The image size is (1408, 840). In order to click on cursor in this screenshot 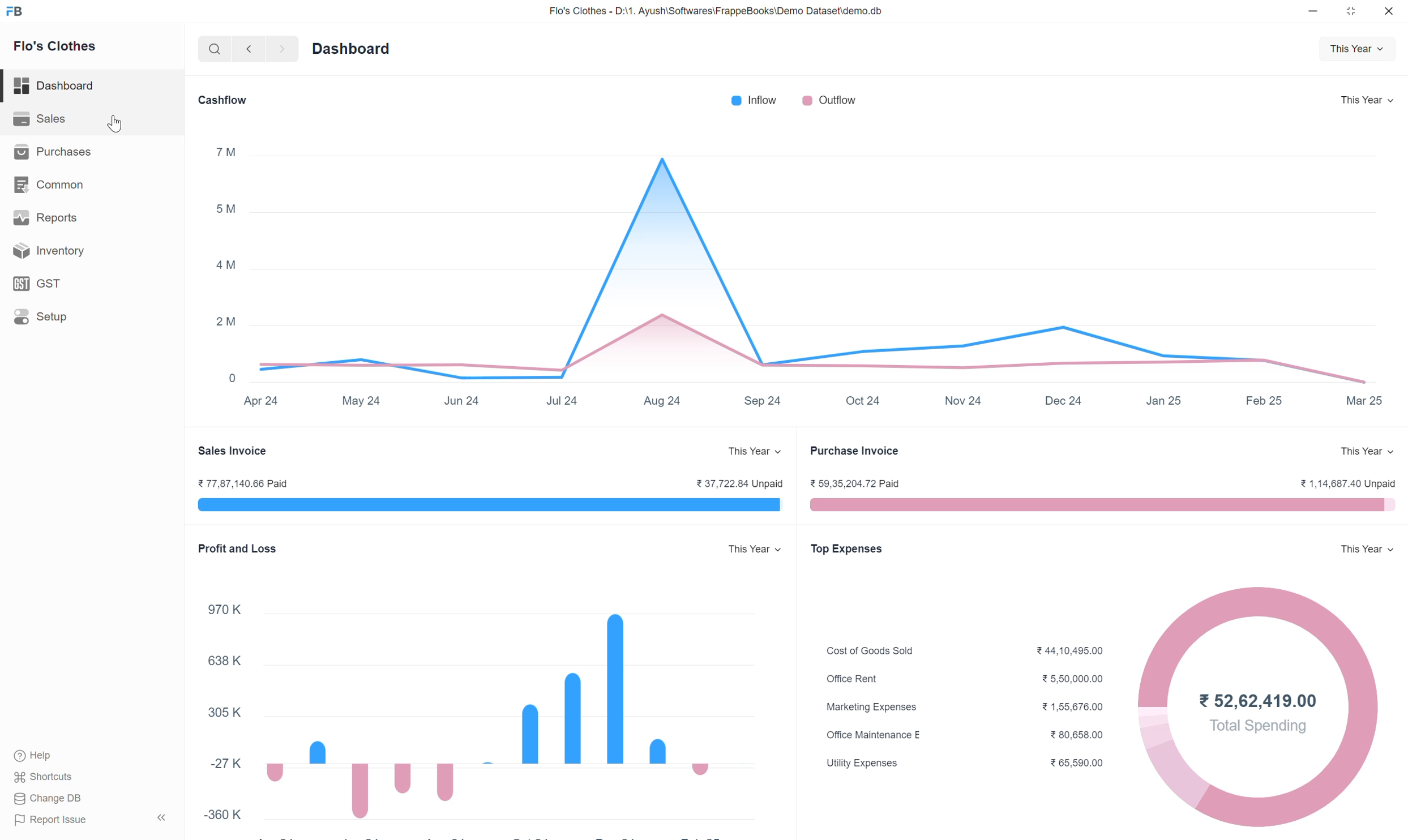, I will do `click(117, 125)`.